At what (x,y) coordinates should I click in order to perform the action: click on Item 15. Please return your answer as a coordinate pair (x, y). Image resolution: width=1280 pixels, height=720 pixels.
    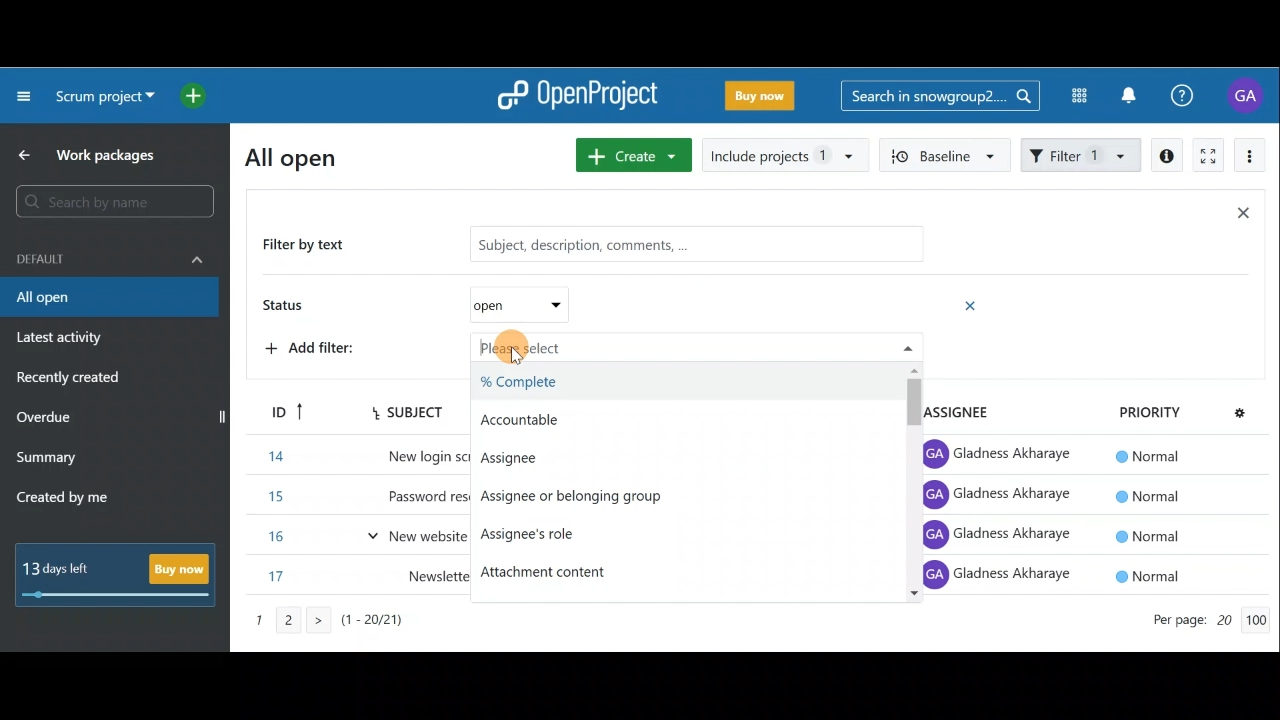
    Looking at the image, I should click on (353, 495).